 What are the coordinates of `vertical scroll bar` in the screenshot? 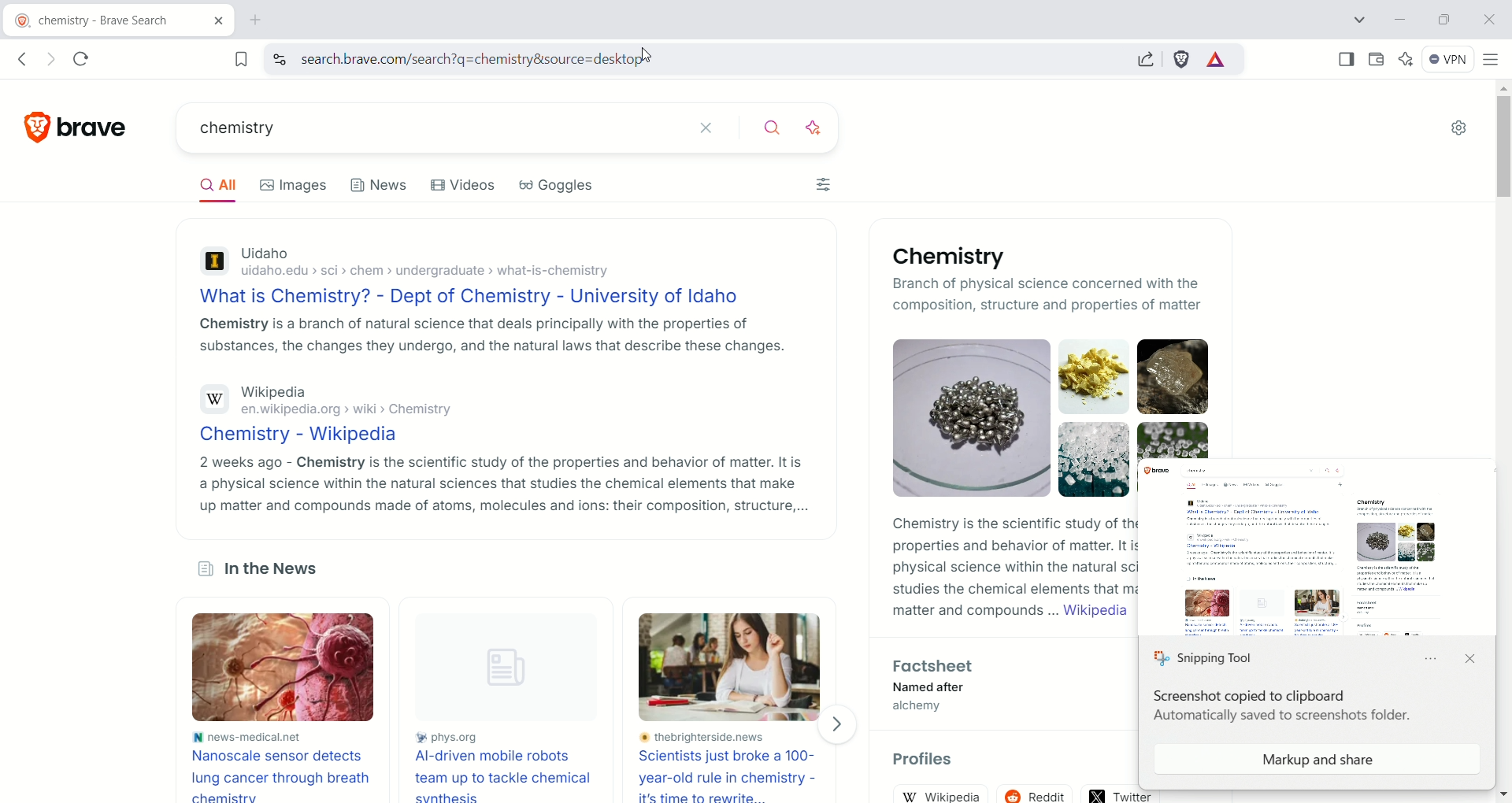 It's located at (1499, 424).